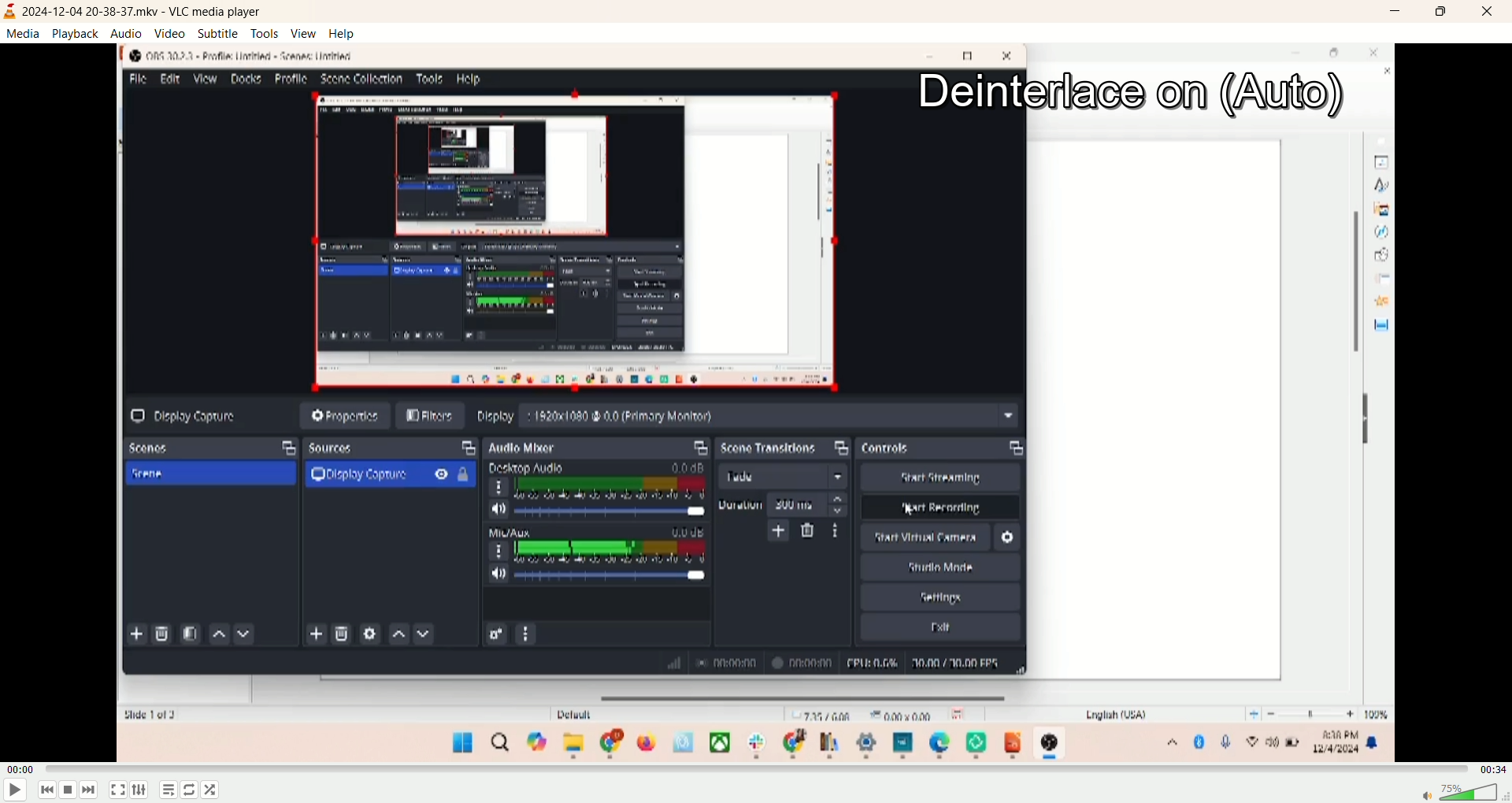  What do you see at coordinates (21, 768) in the screenshot?
I see `played time` at bounding box center [21, 768].